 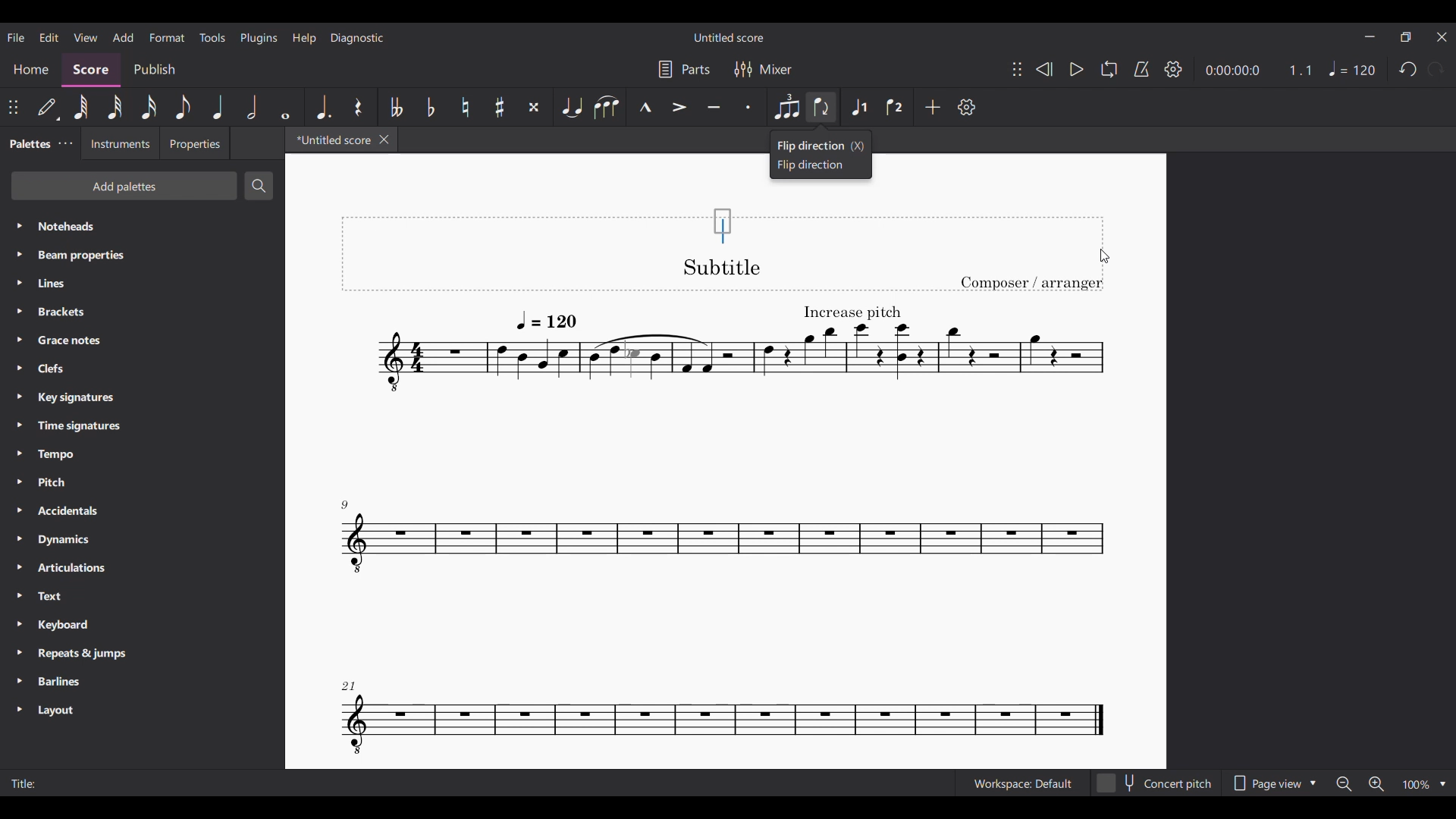 What do you see at coordinates (143, 654) in the screenshot?
I see `Repeats & jumps` at bounding box center [143, 654].